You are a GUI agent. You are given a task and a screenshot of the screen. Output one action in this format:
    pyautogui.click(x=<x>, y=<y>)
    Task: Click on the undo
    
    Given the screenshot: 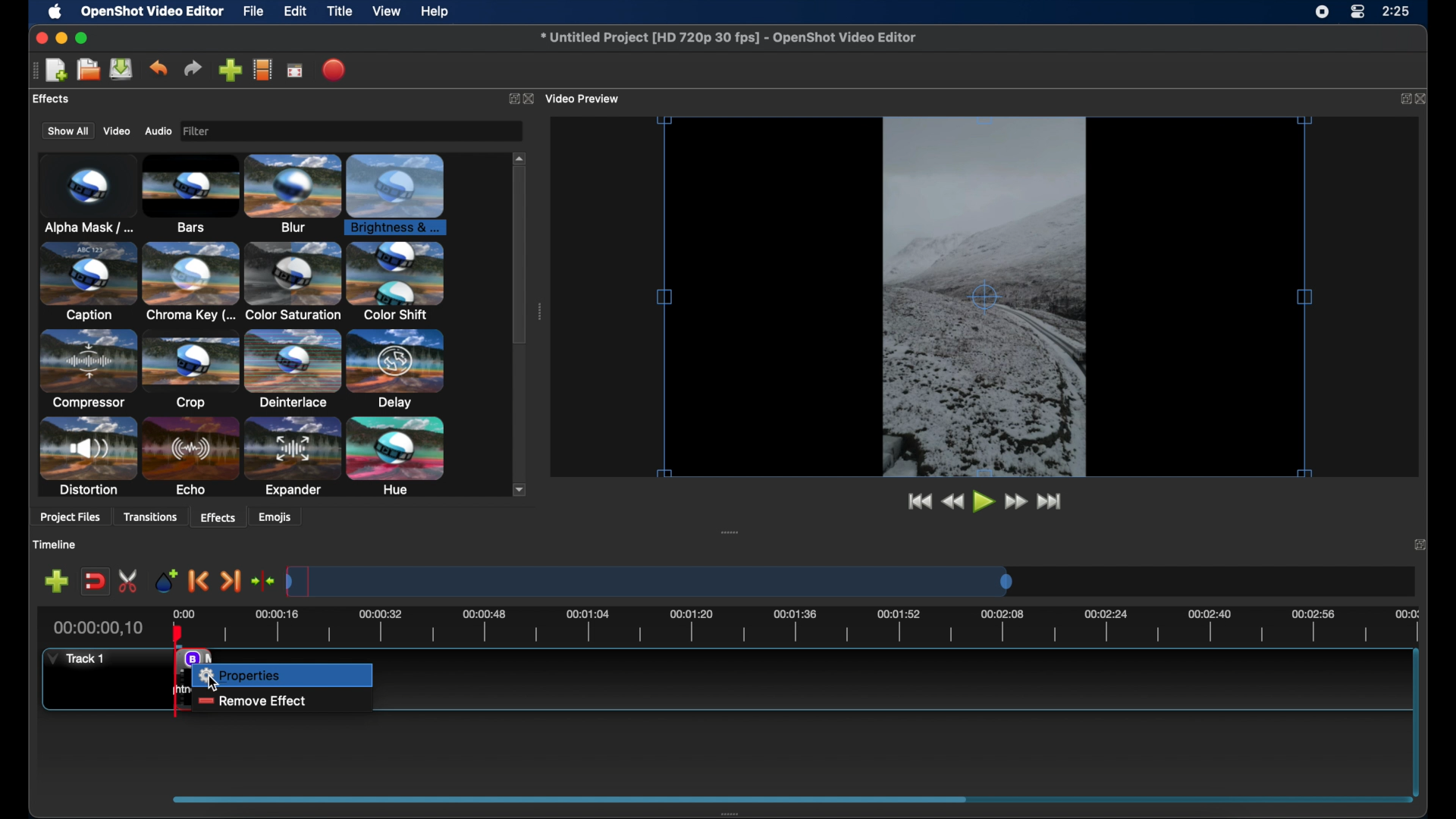 What is the action you would take?
    pyautogui.click(x=158, y=68)
    